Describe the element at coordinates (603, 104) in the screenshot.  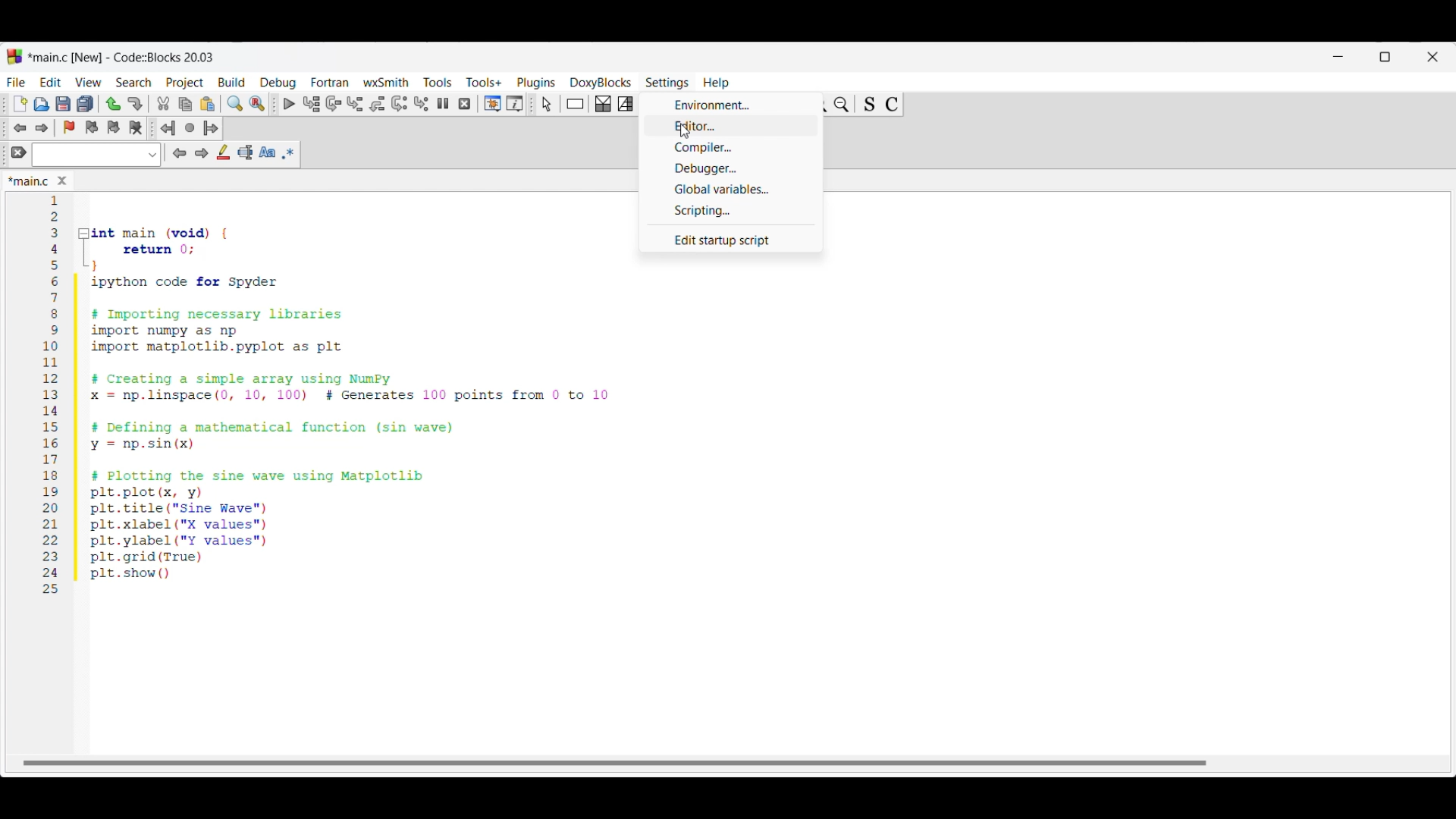
I see `Decision` at that location.